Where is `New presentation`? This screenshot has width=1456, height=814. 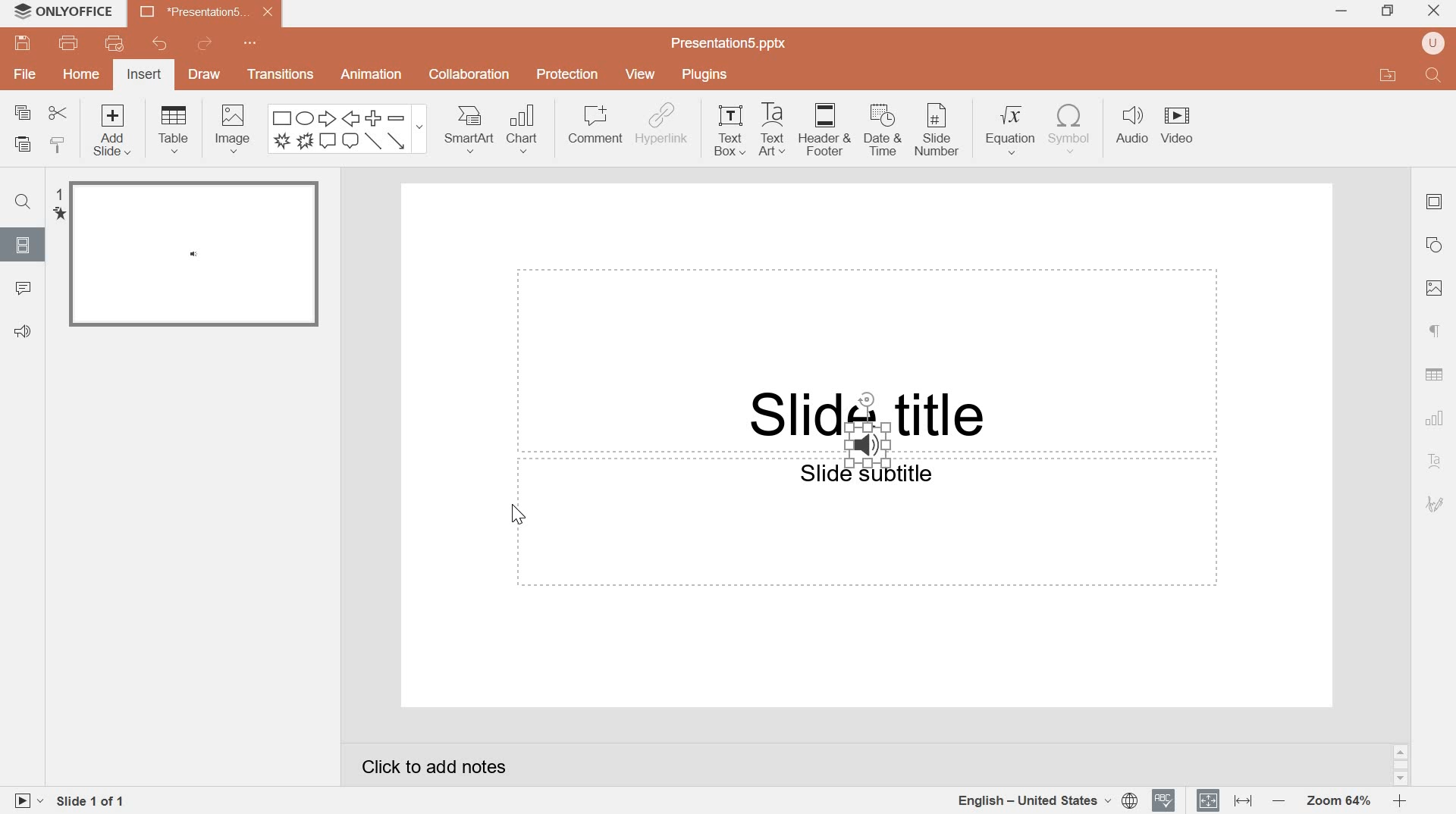 New presentation is located at coordinates (206, 11).